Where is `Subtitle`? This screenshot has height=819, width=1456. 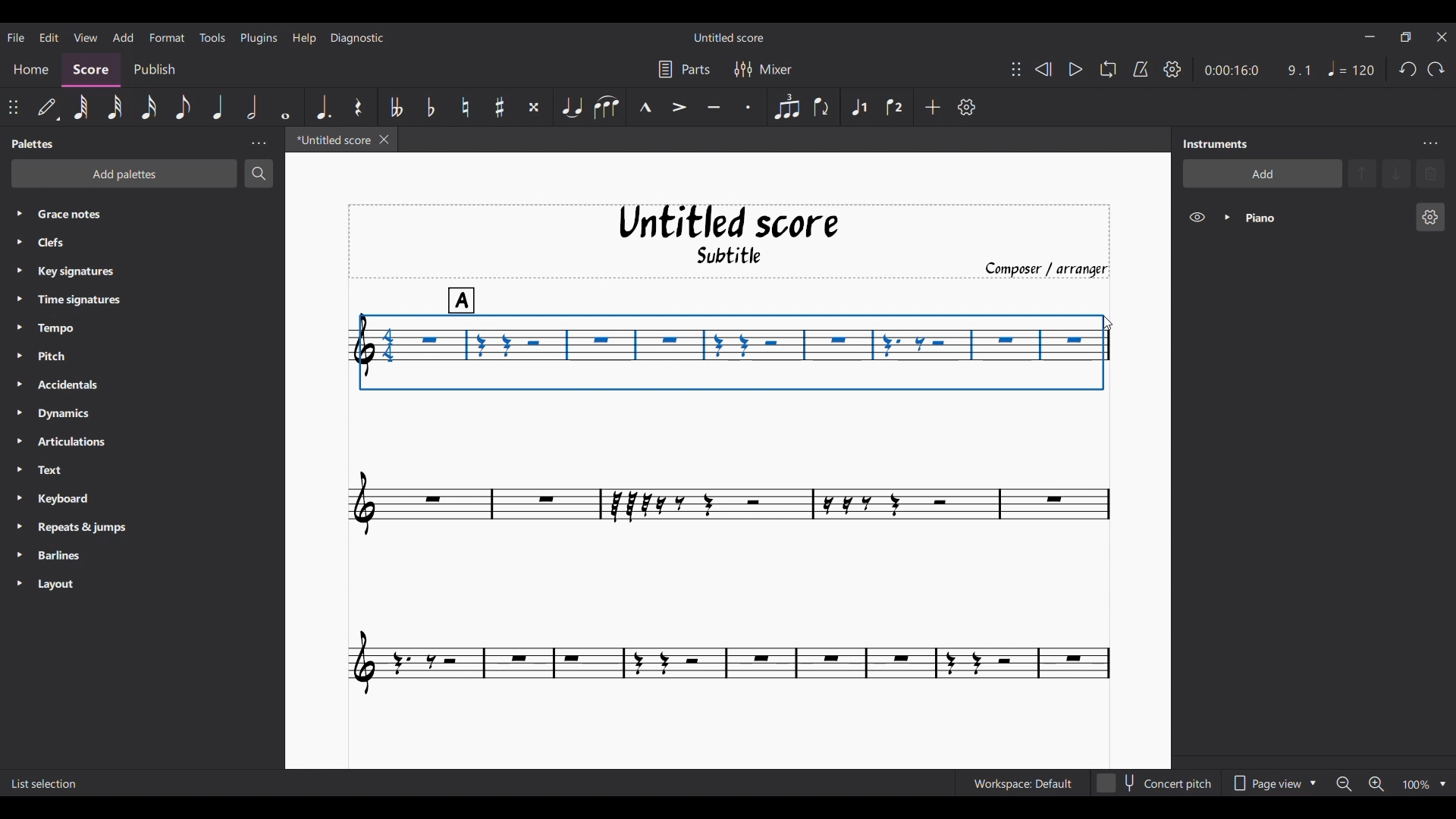 Subtitle is located at coordinates (745, 255).